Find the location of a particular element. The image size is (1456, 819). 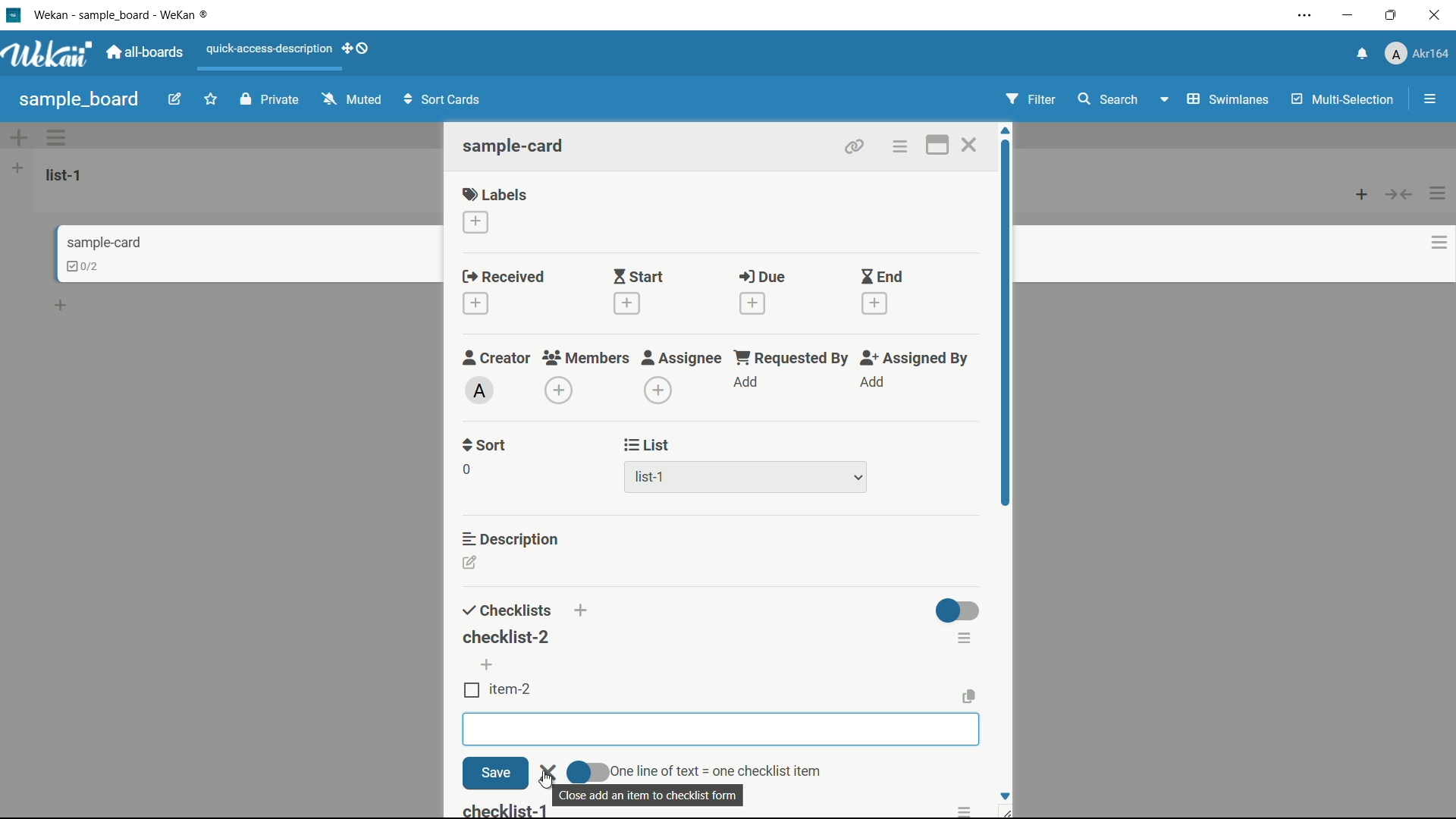

list-1 is located at coordinates (652, 480).